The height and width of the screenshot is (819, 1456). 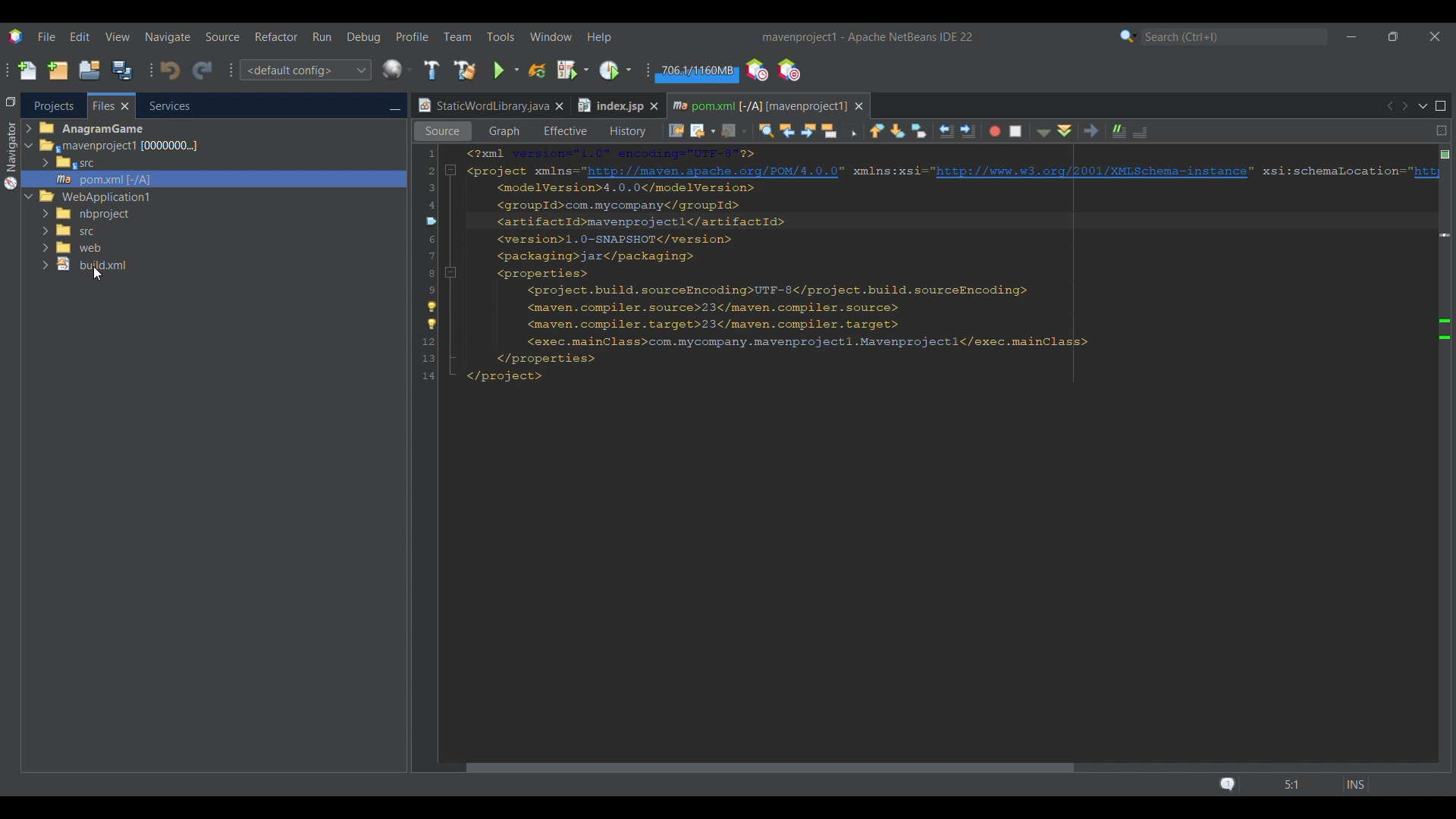 I want to click on Code in current tab, so click(x=927, y=268).